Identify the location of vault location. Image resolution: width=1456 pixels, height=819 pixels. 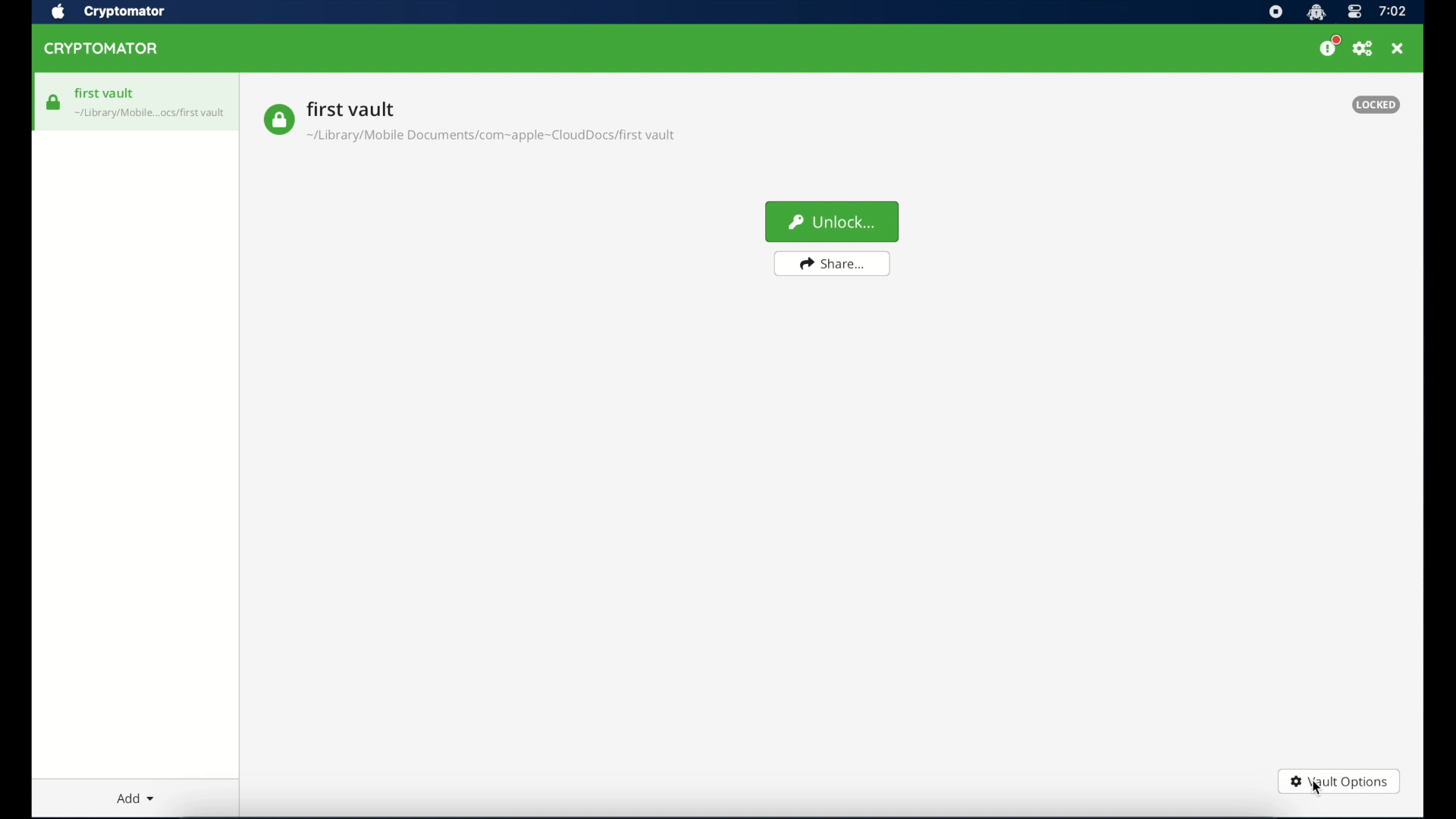
(493, 138).